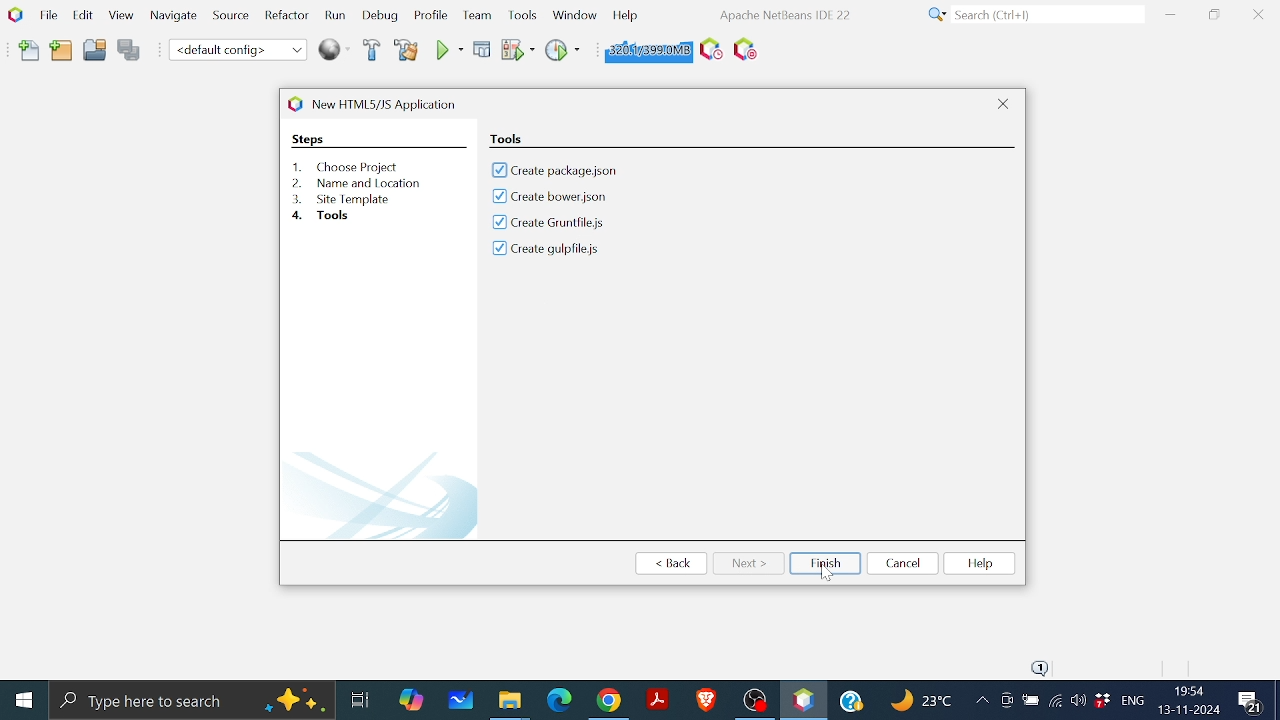 The image size is (1280, 720). What do you see at coordinates (95, 53) in the screenshot?
I see `Open project` at bounding box center [95, 53].